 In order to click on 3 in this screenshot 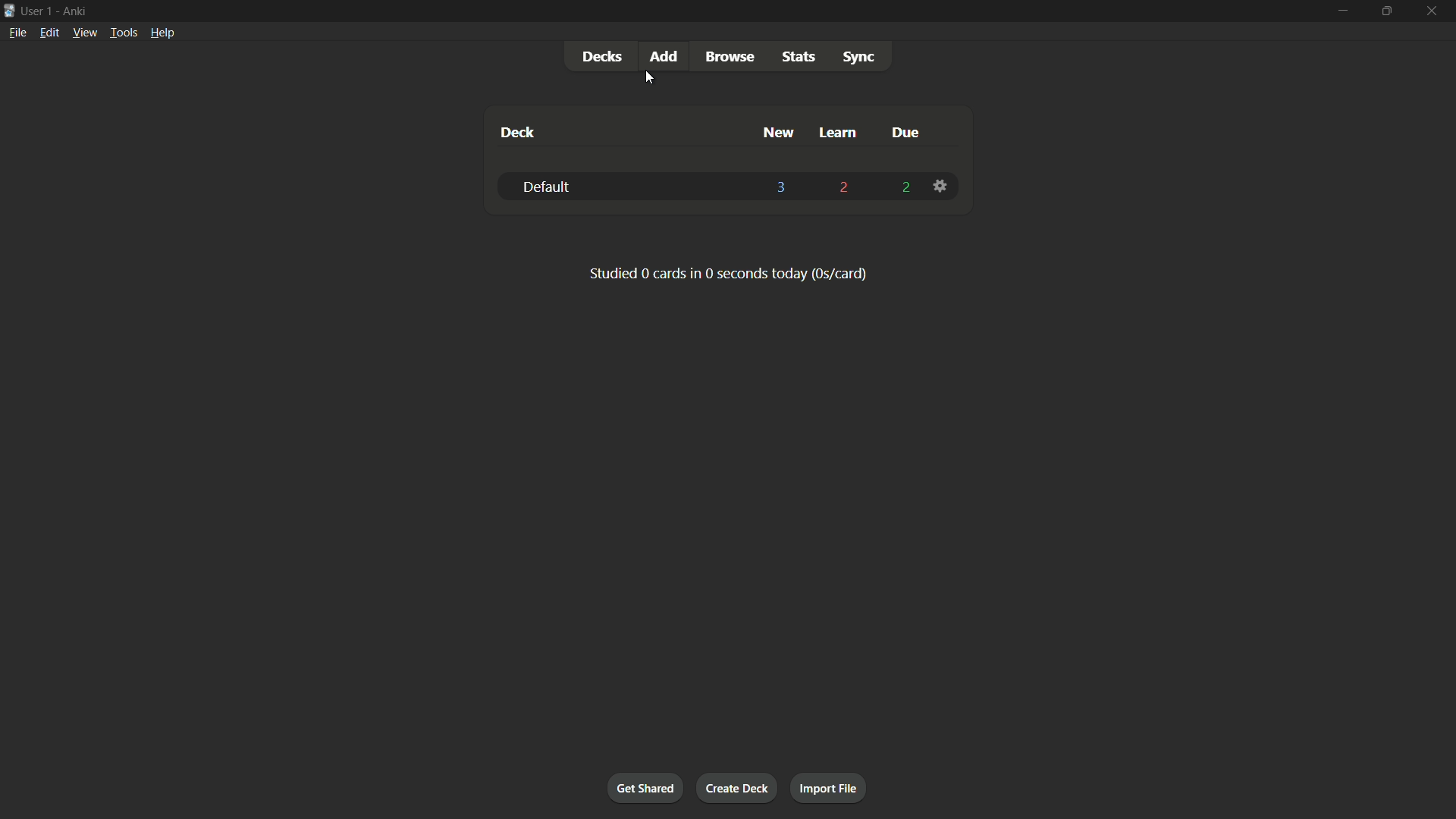, I will do `click(782, 187)`.